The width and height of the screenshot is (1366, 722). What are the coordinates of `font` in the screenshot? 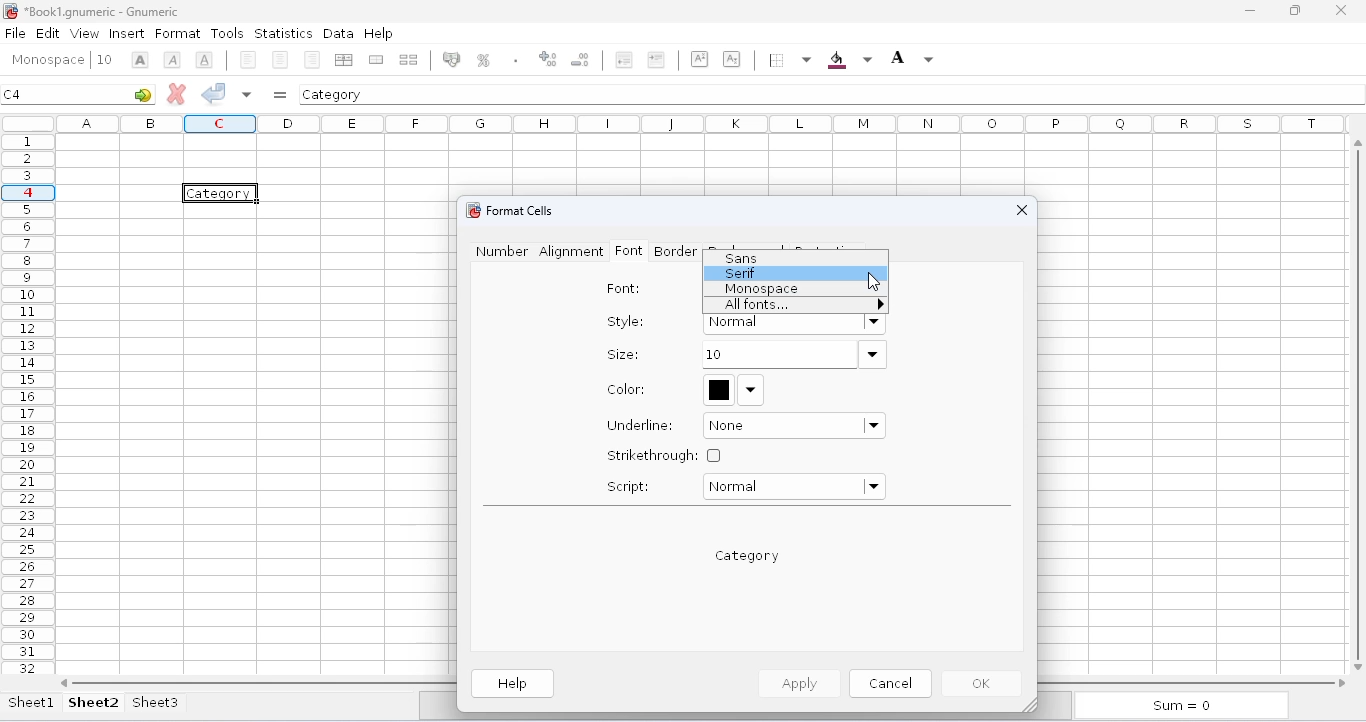 It's located at (628, 251).